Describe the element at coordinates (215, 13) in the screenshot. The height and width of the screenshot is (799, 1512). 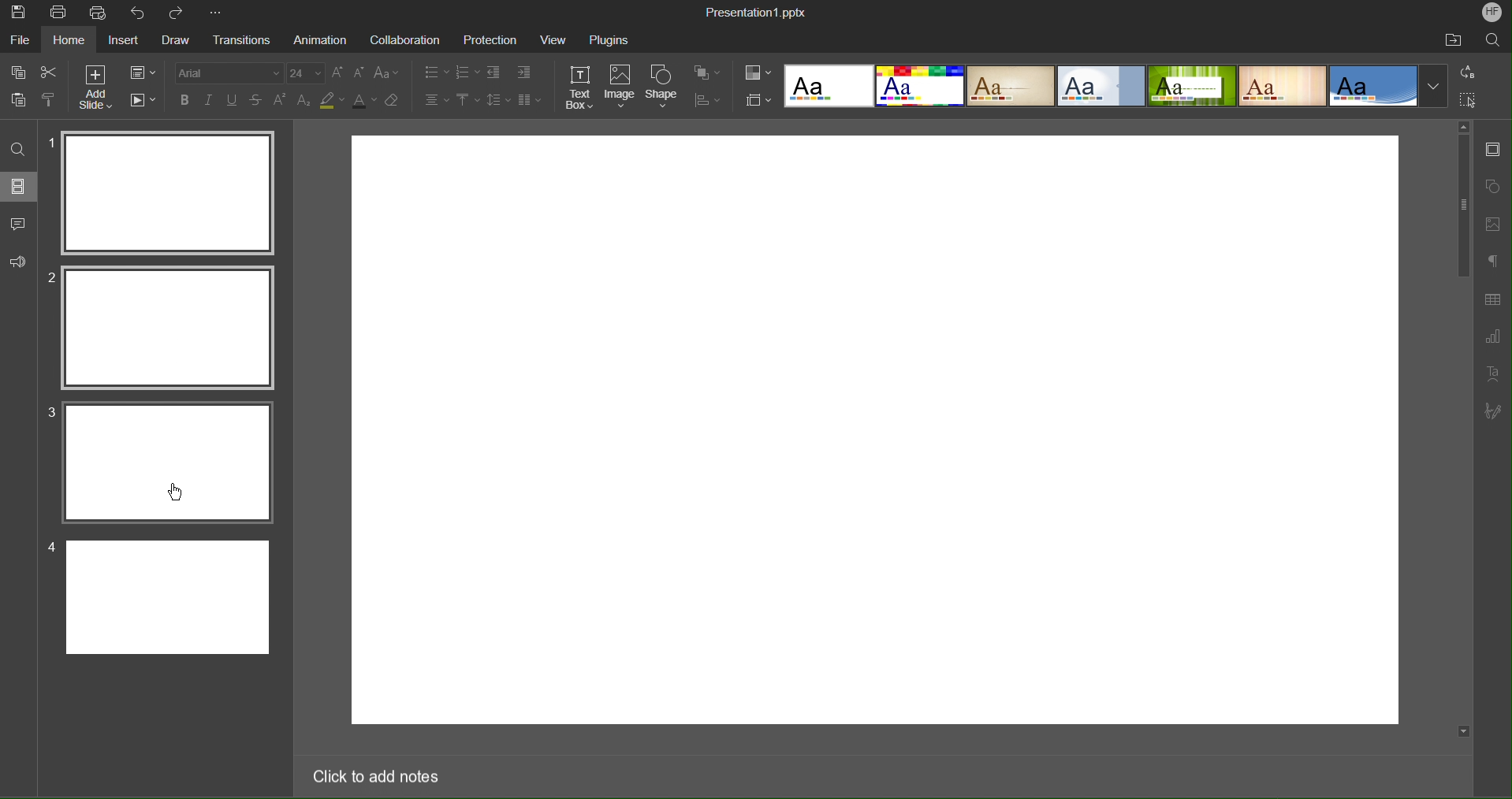
I see `More Options` at that location.